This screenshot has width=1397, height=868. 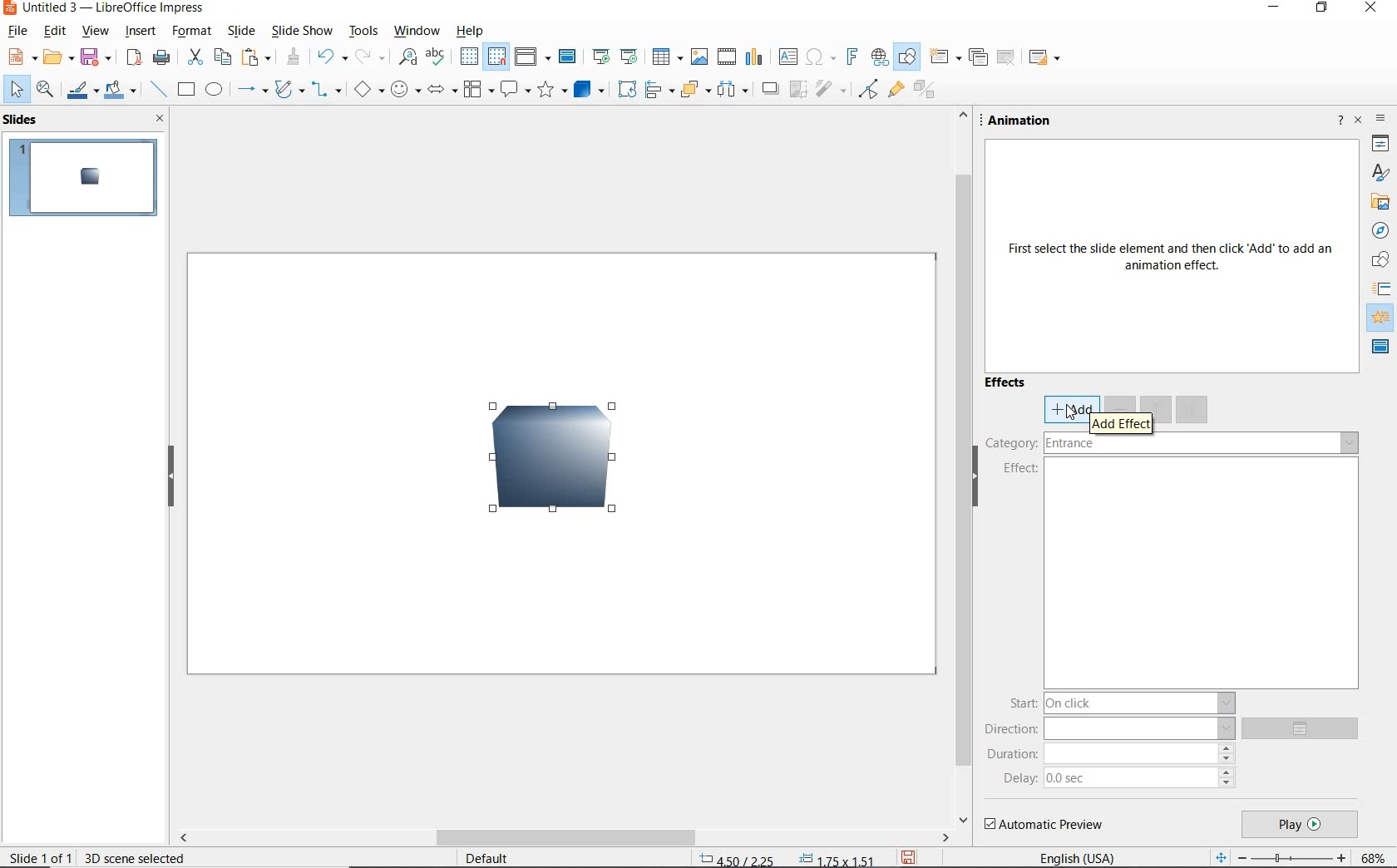 What do you see at coordinates (225, 56) in the screenshot?
I see `copy` at bounding box center [225, 56].